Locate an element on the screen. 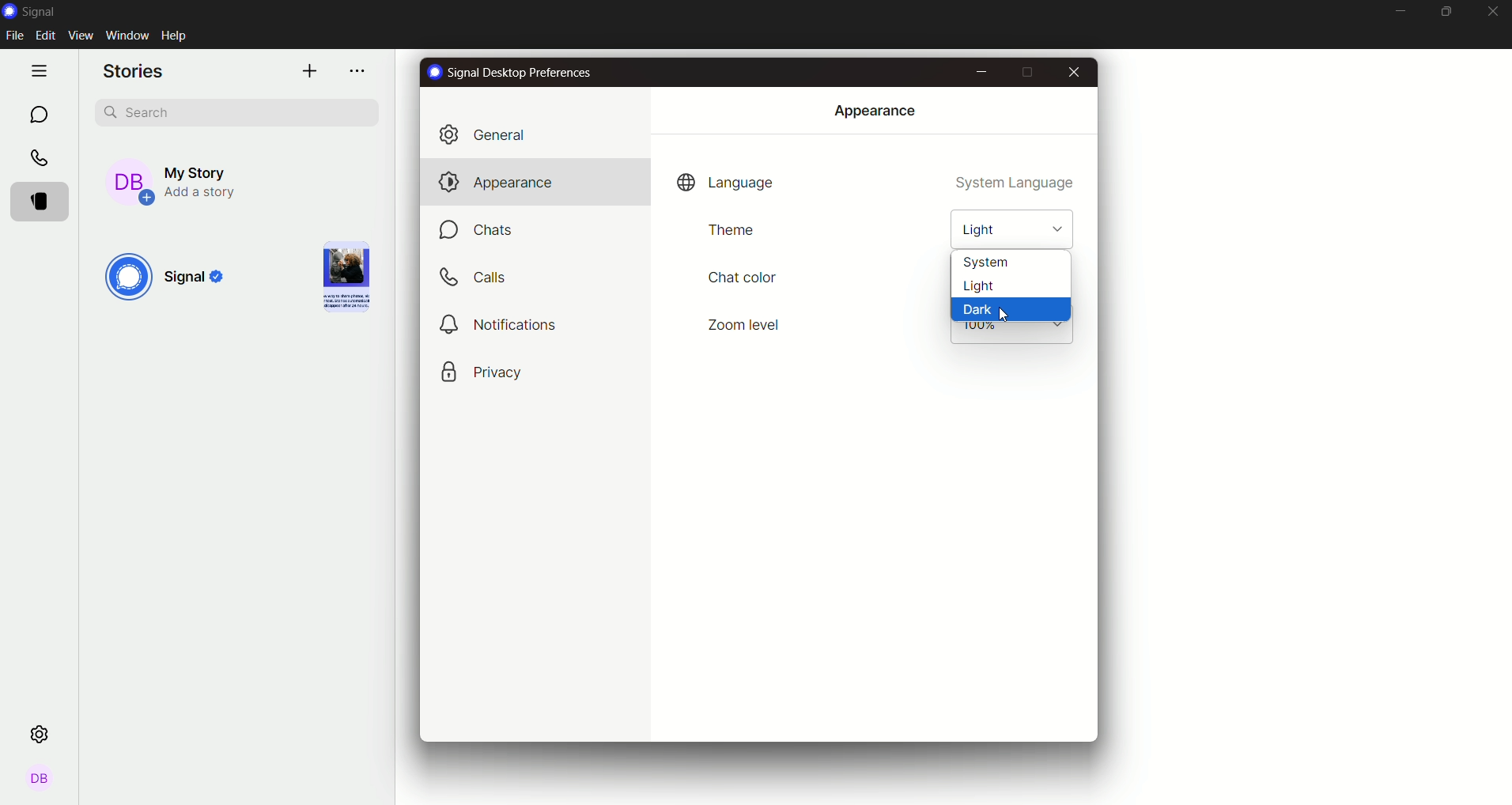  chats is located at coordinates (482, 231).